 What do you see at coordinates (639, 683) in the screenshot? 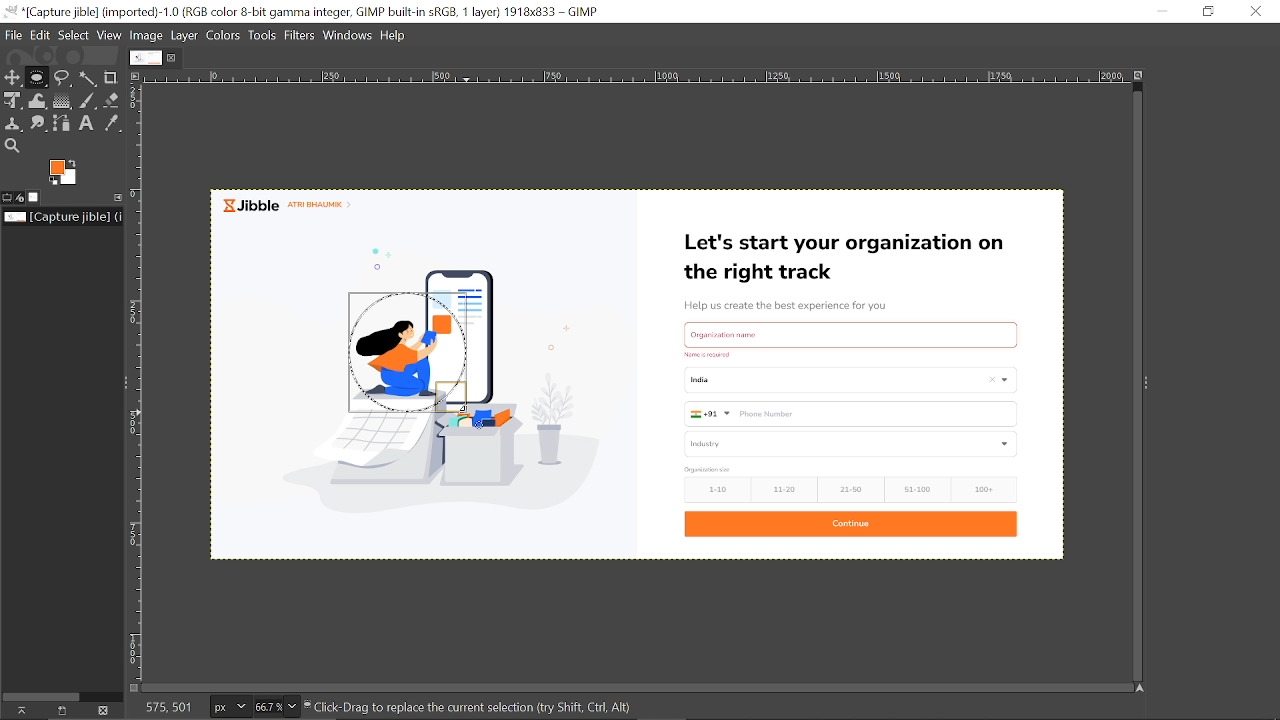
I see `horizontal scroll bar` at bounding box center [639, 683].